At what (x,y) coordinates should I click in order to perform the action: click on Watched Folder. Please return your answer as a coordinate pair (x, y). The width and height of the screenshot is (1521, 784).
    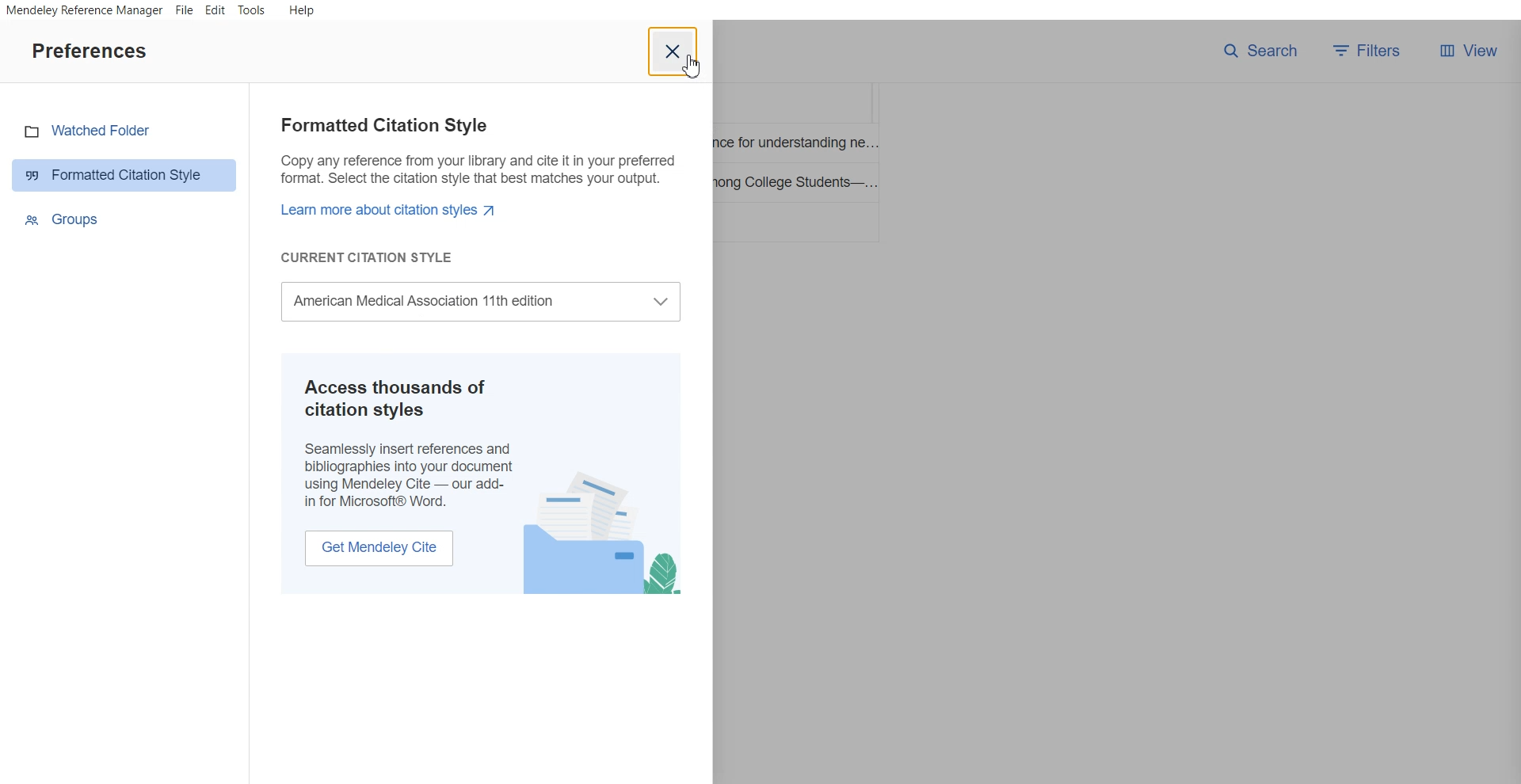
    Looking at the image, I should click on (124, 131).